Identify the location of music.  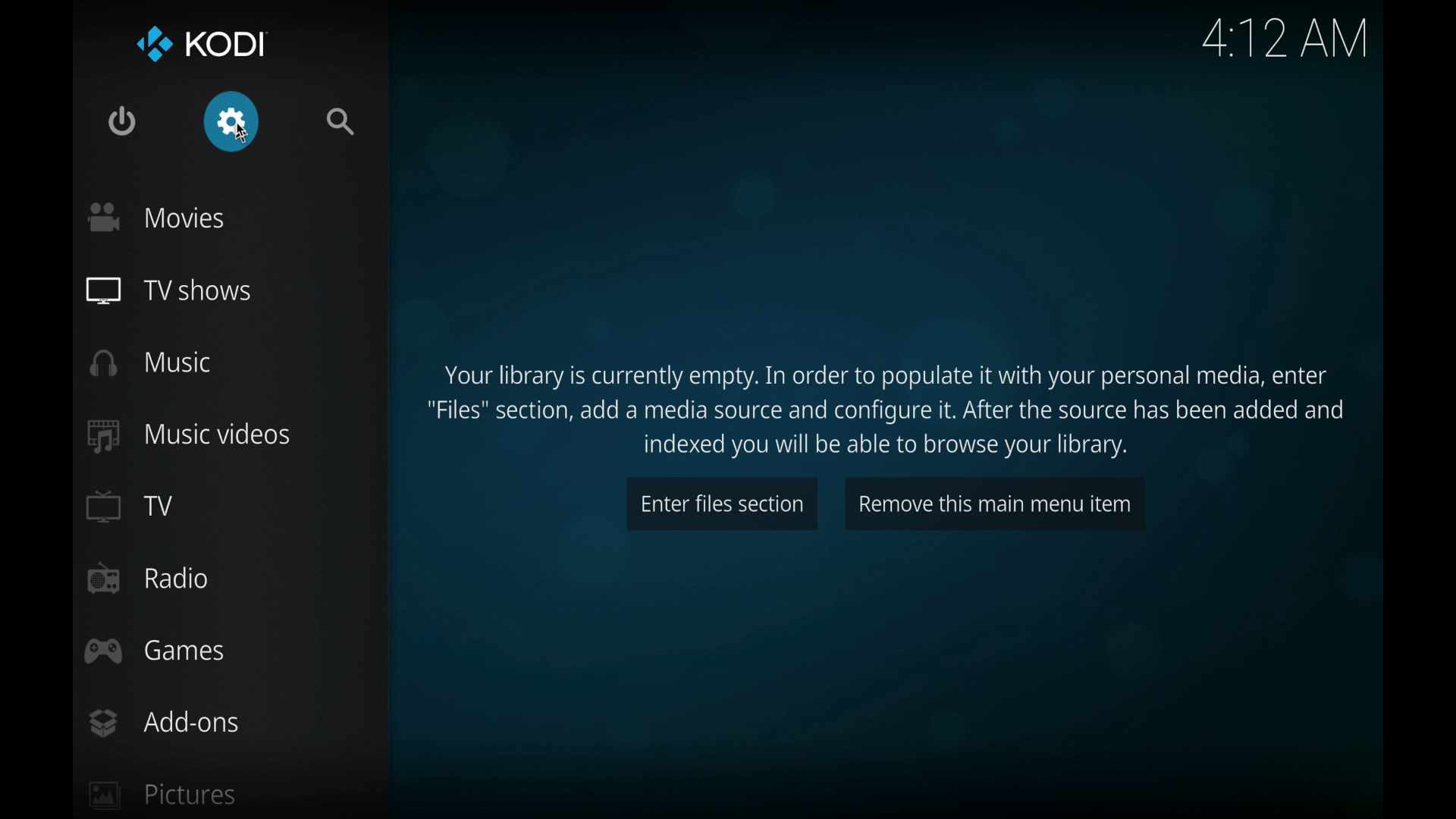
(151, 362).